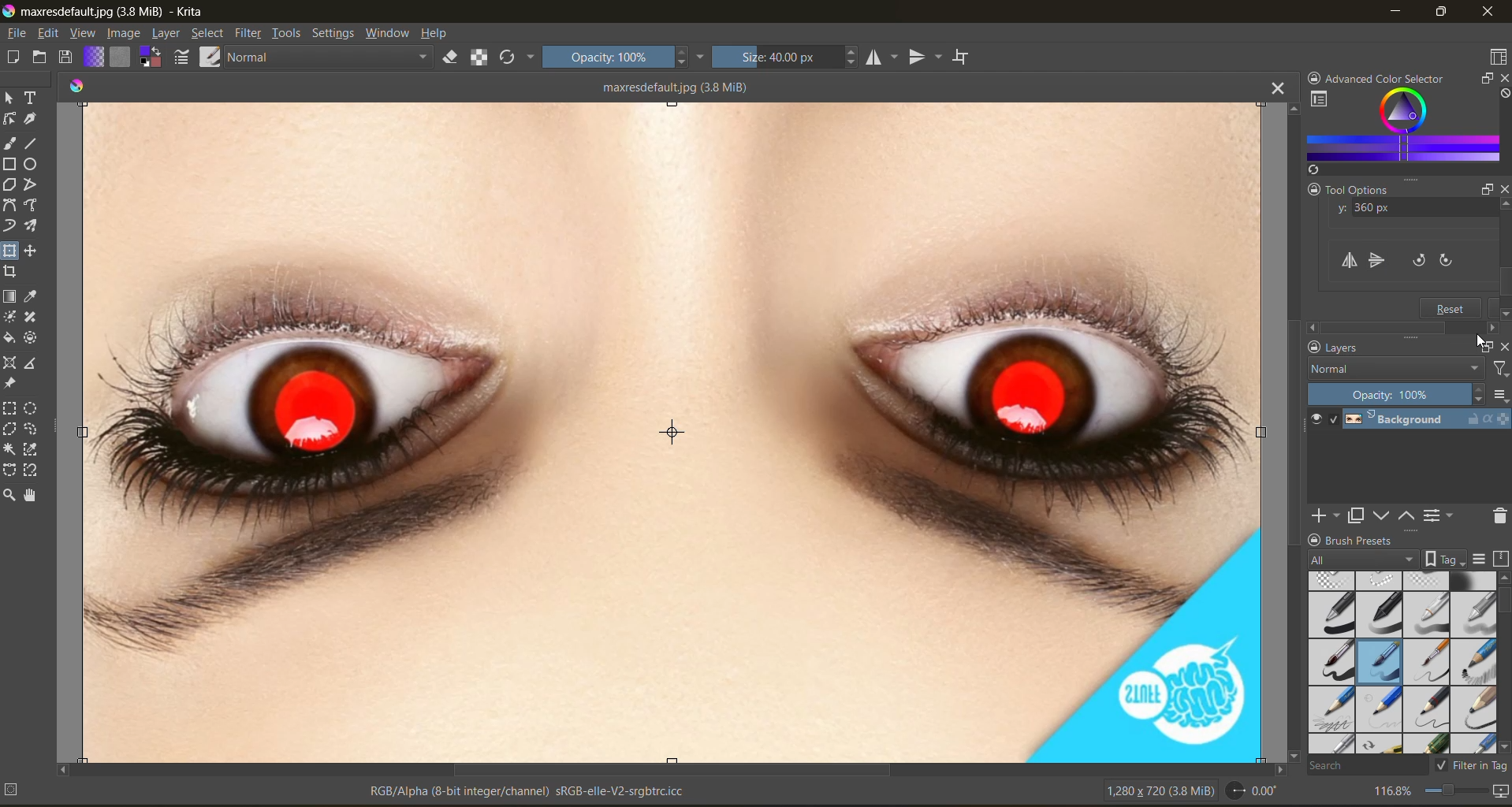 The width and height of the screenshot is (1512, 807). Describe the element at coordinates (12, 364) in the screenshot. I see `tool` at that location.